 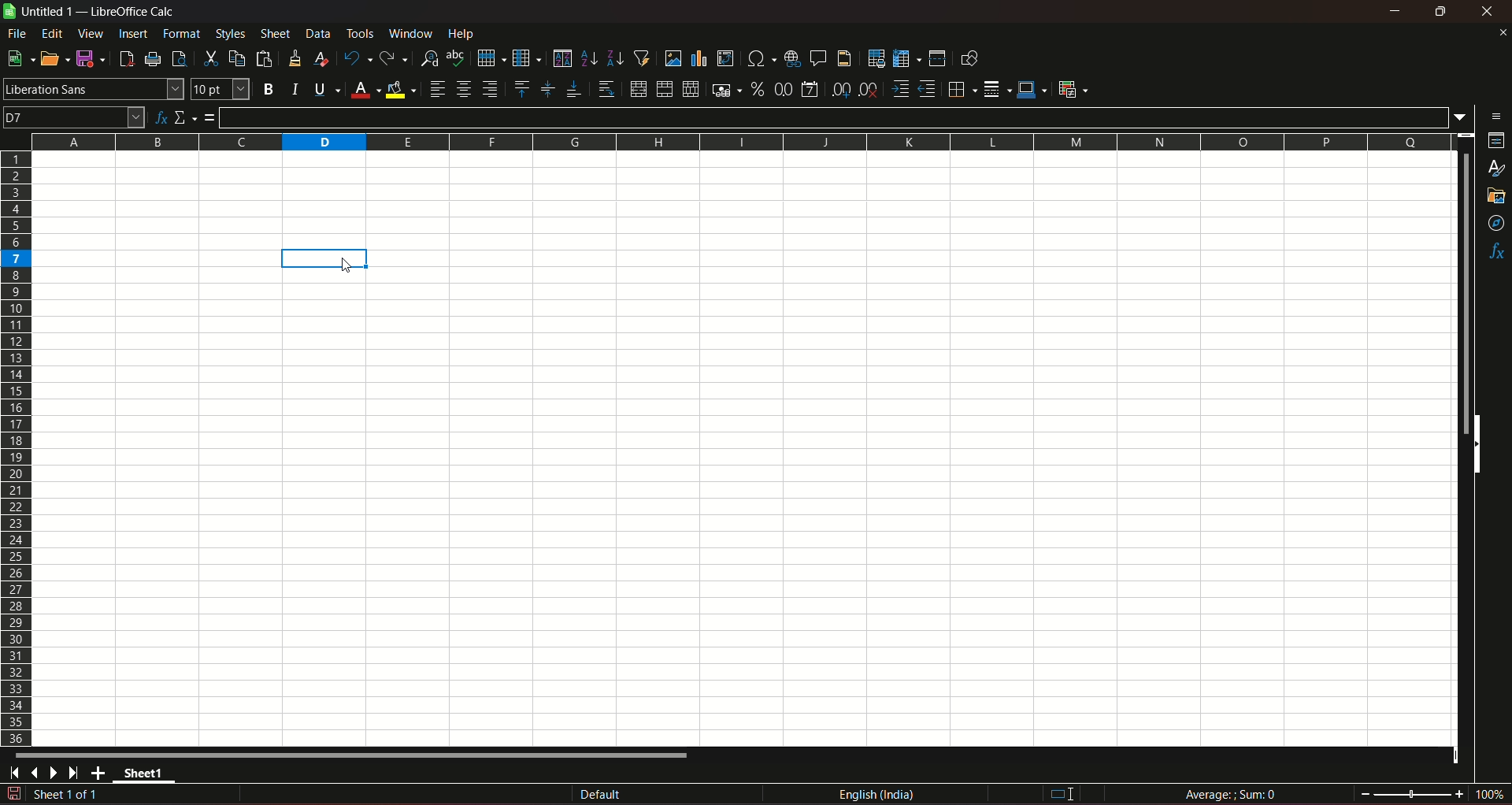 I want to click on clear direct formatting, so click(x=324, y=58).